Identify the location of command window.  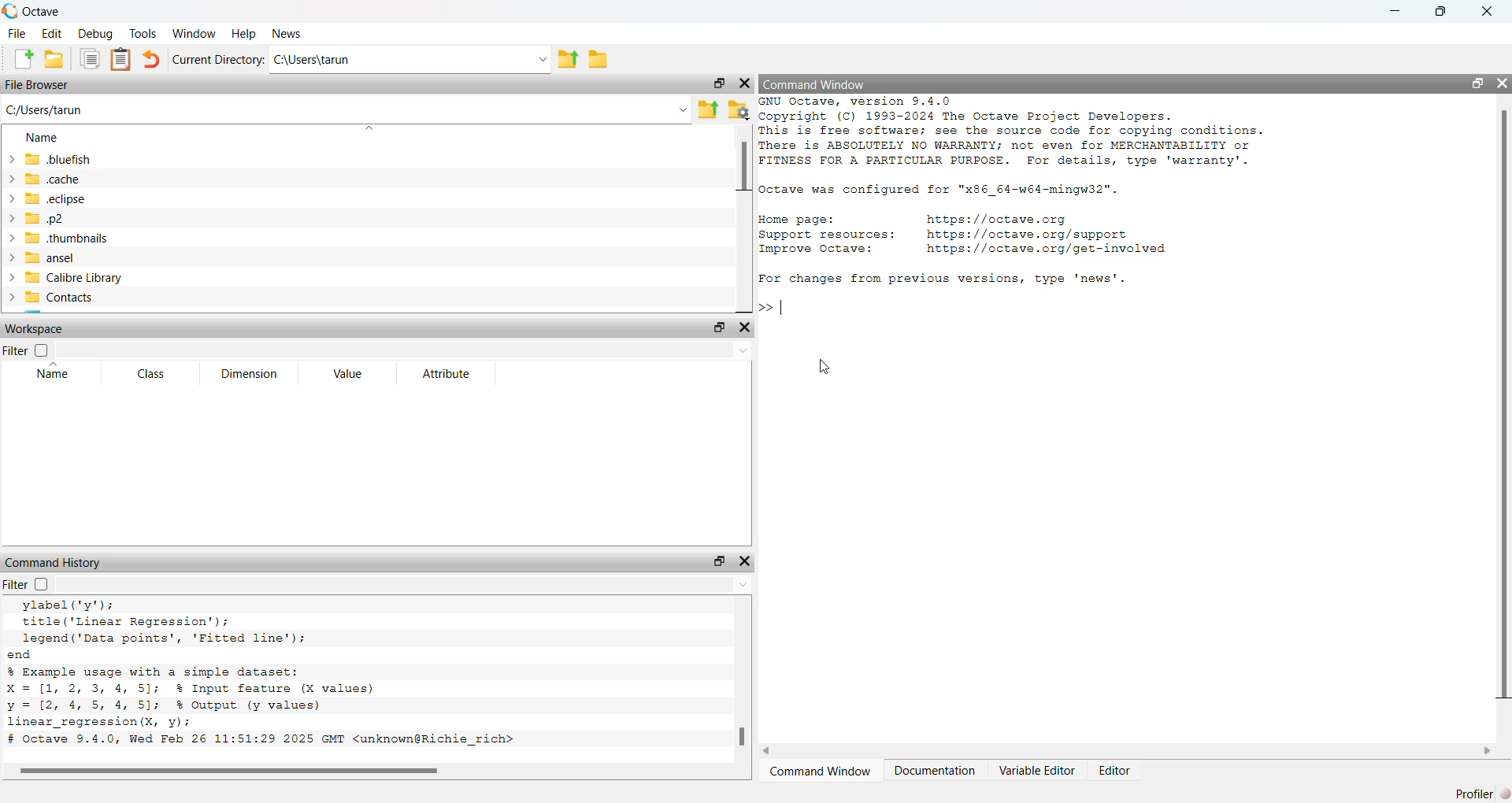
(821, 771).